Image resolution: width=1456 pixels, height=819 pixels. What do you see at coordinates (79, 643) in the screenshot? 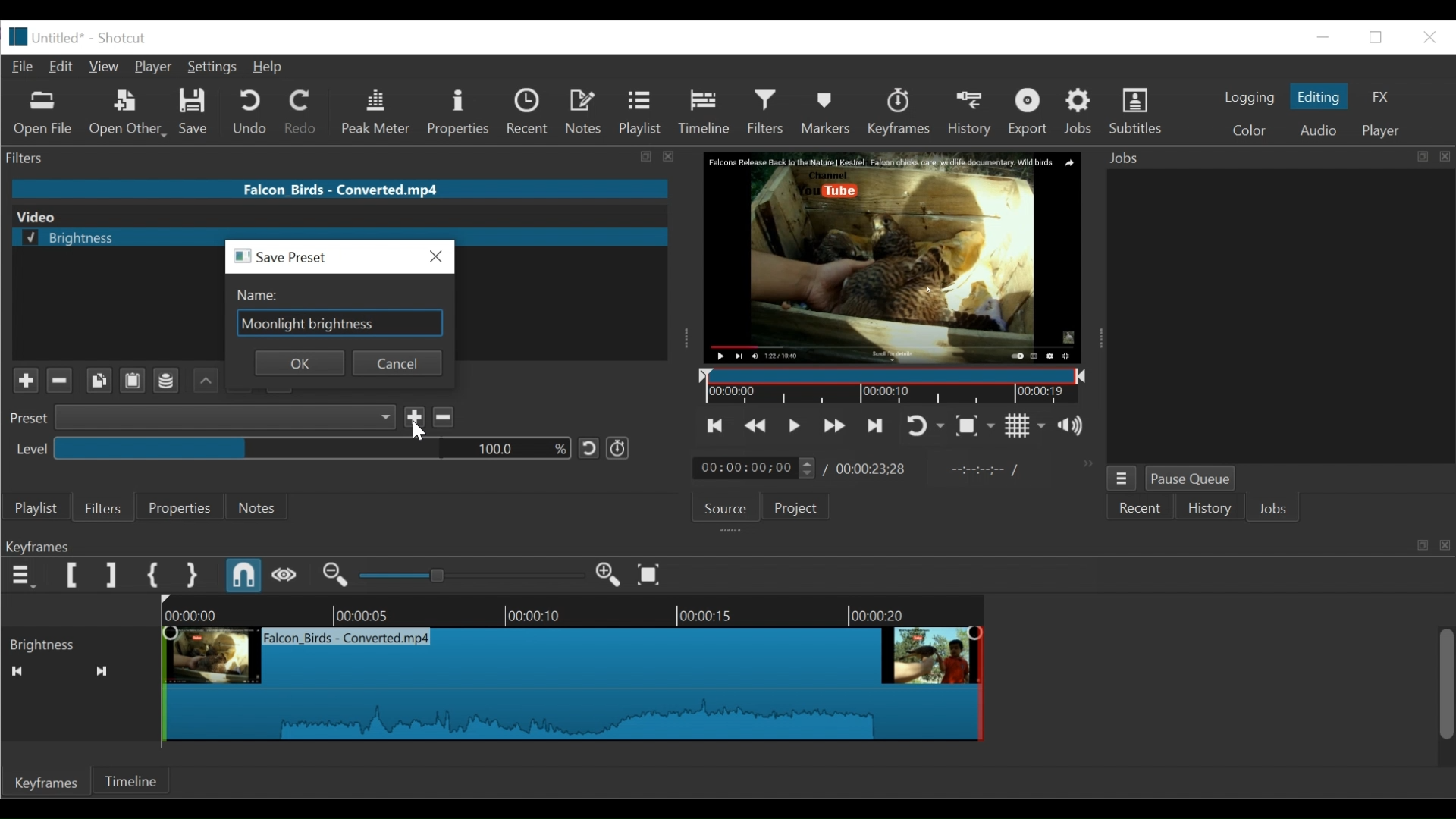
I see `Brightness` at bounding box center [79, 643].